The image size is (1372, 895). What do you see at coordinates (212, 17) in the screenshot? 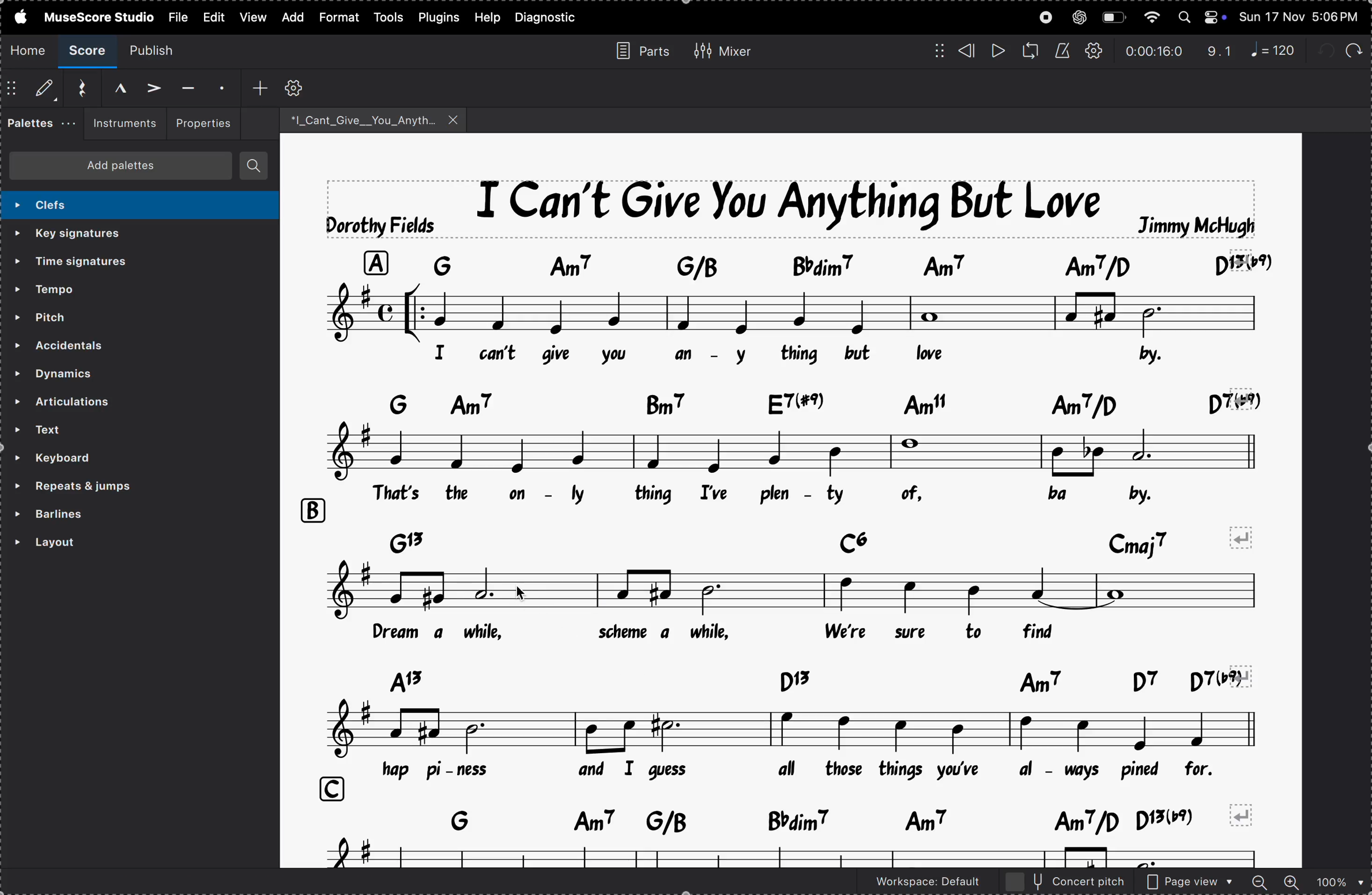
I see `view` at bounding box center [212, 17].